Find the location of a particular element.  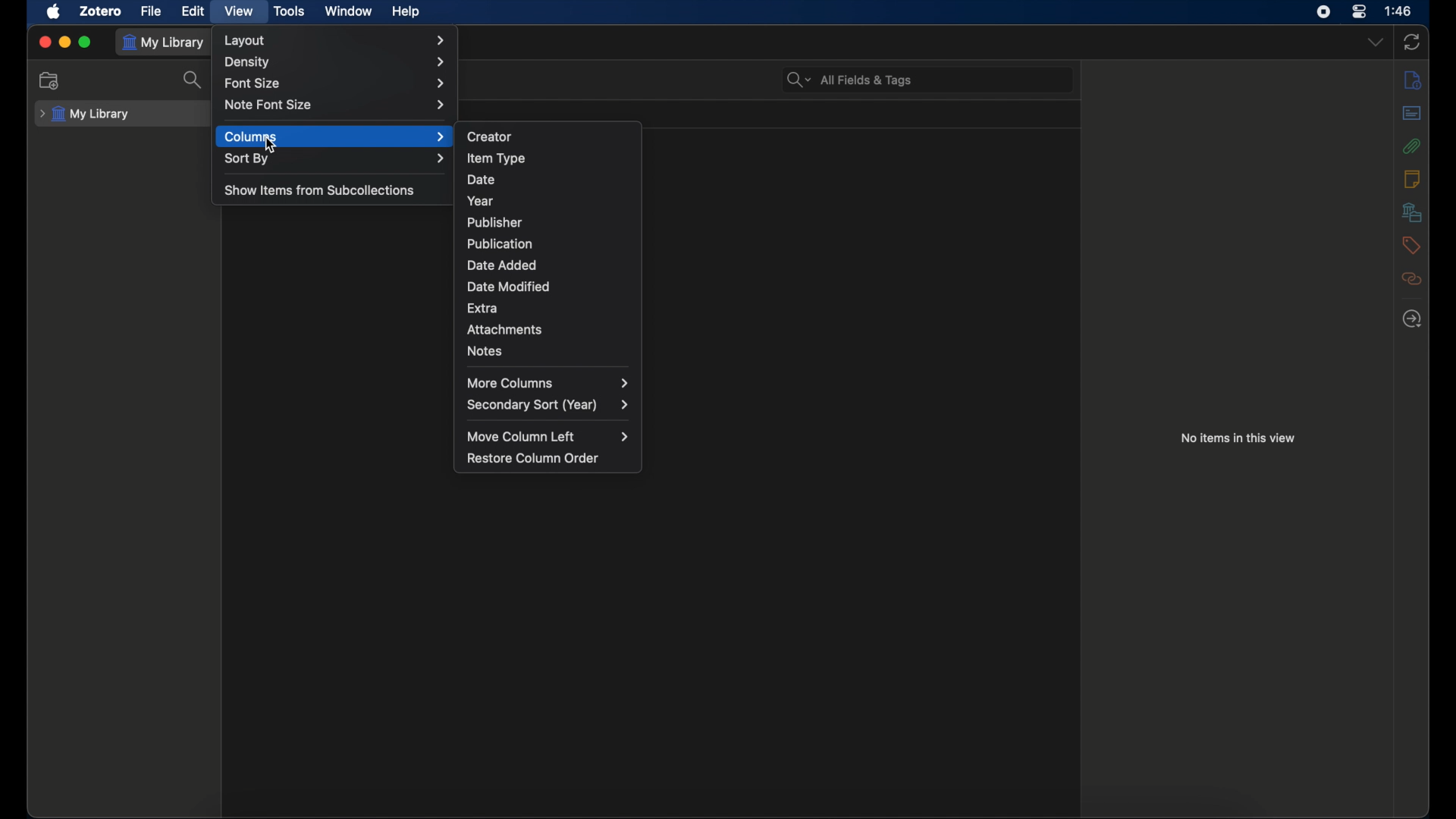

my library is located at coordinates (85, 115).